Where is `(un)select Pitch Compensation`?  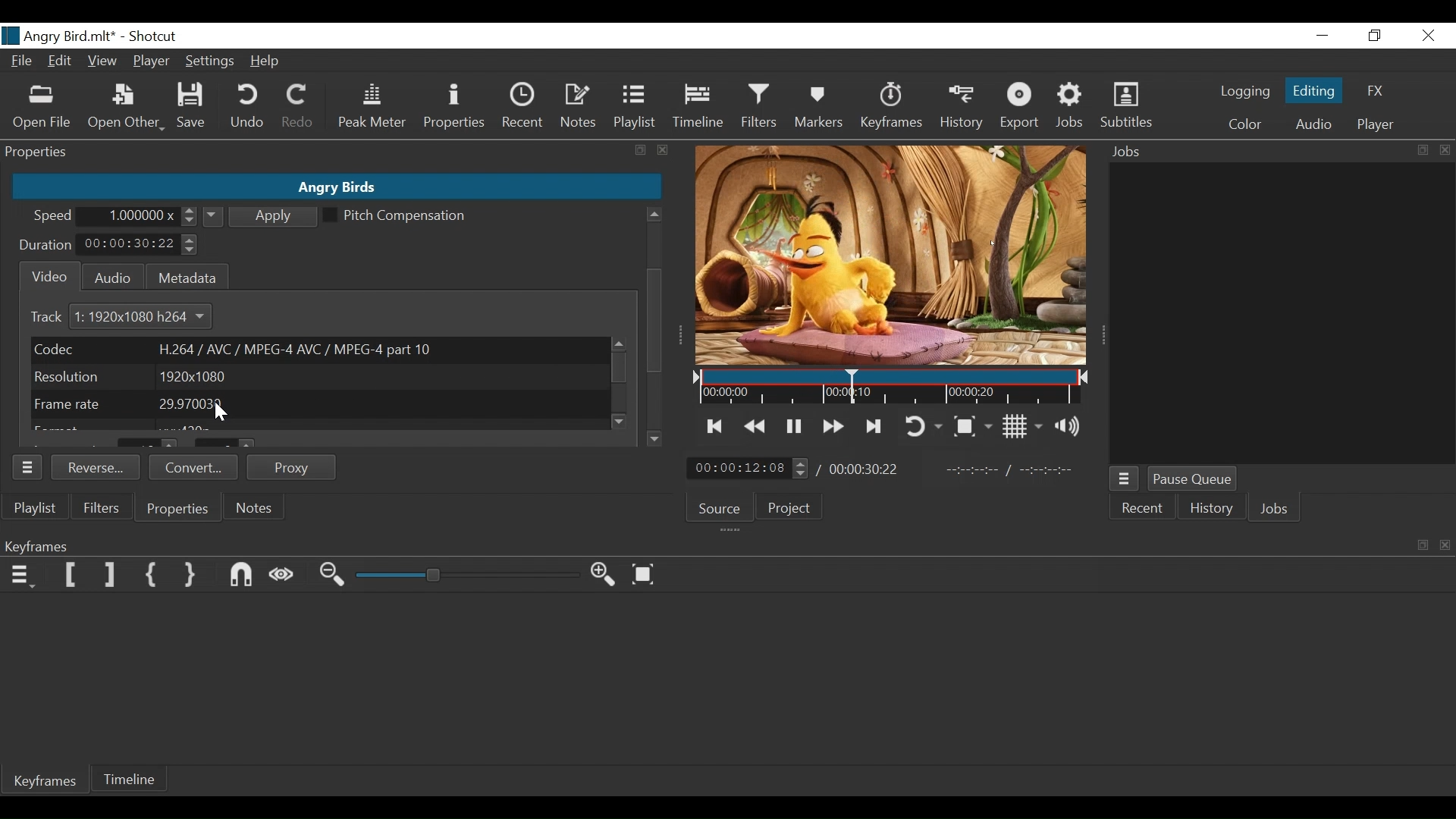
(un)select Pitch Compensation is located at coordinates (395, 216).